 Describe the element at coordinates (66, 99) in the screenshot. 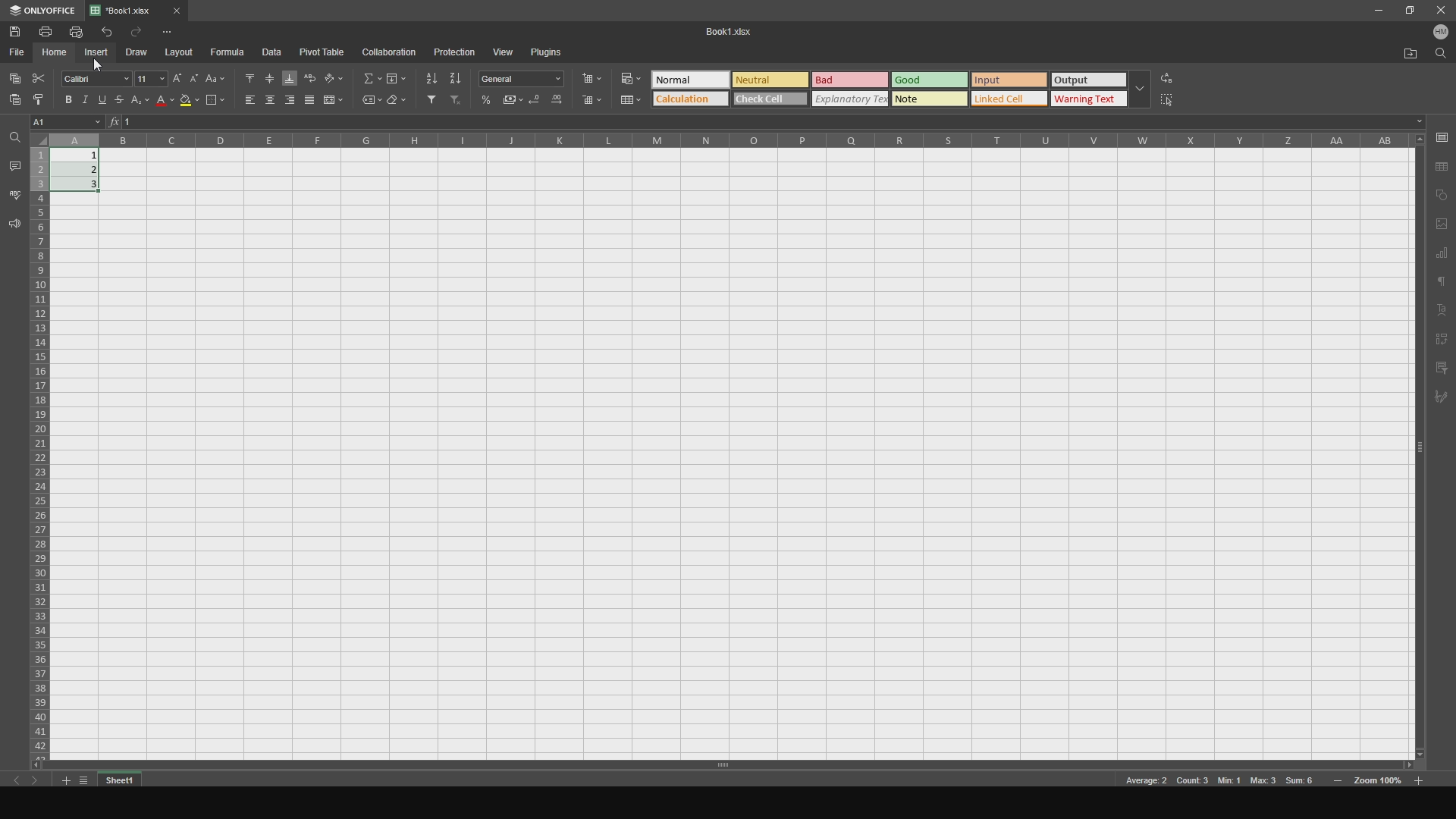

I see `bold` at that location.